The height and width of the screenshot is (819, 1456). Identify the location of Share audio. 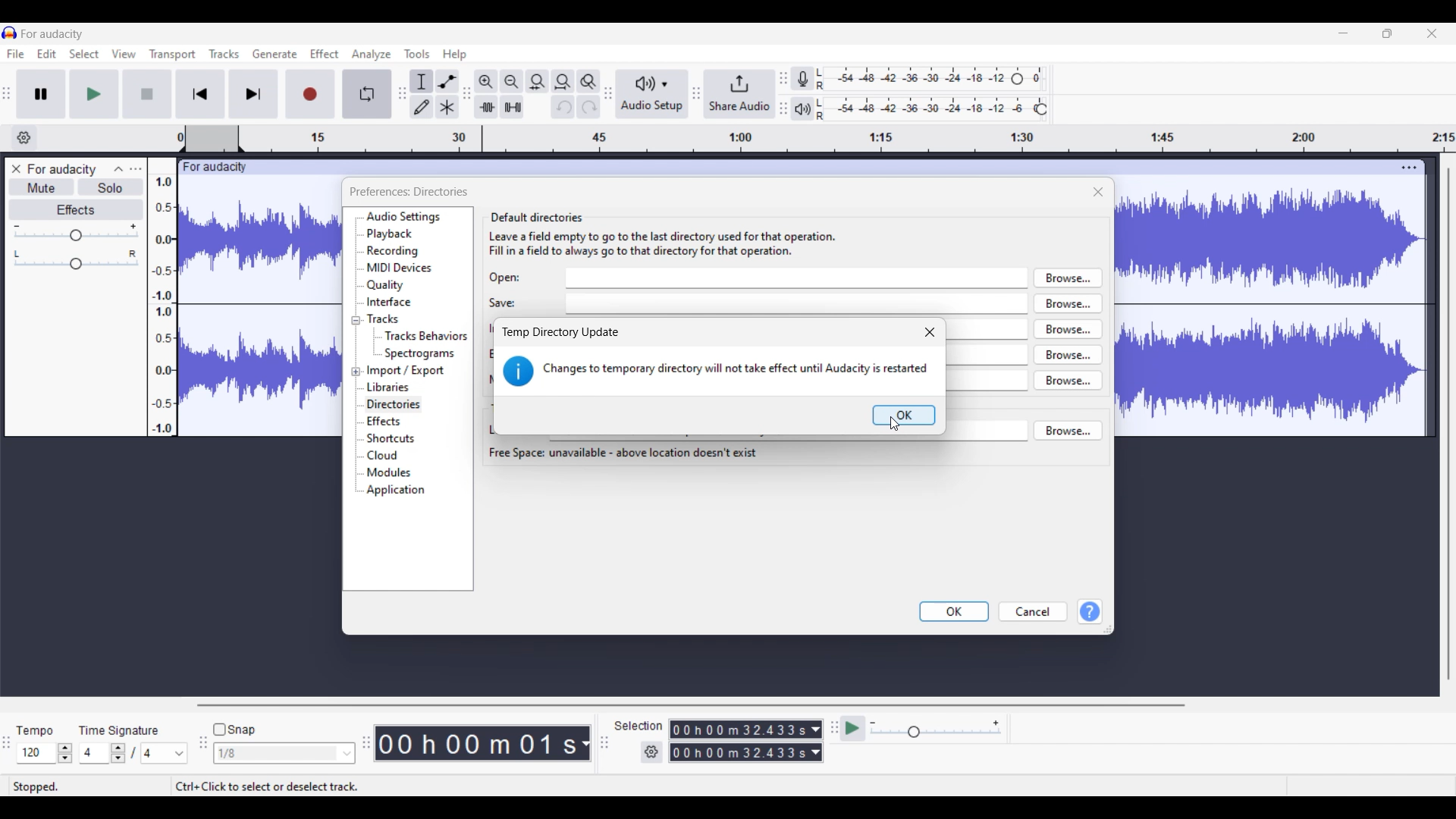
(740, 93).